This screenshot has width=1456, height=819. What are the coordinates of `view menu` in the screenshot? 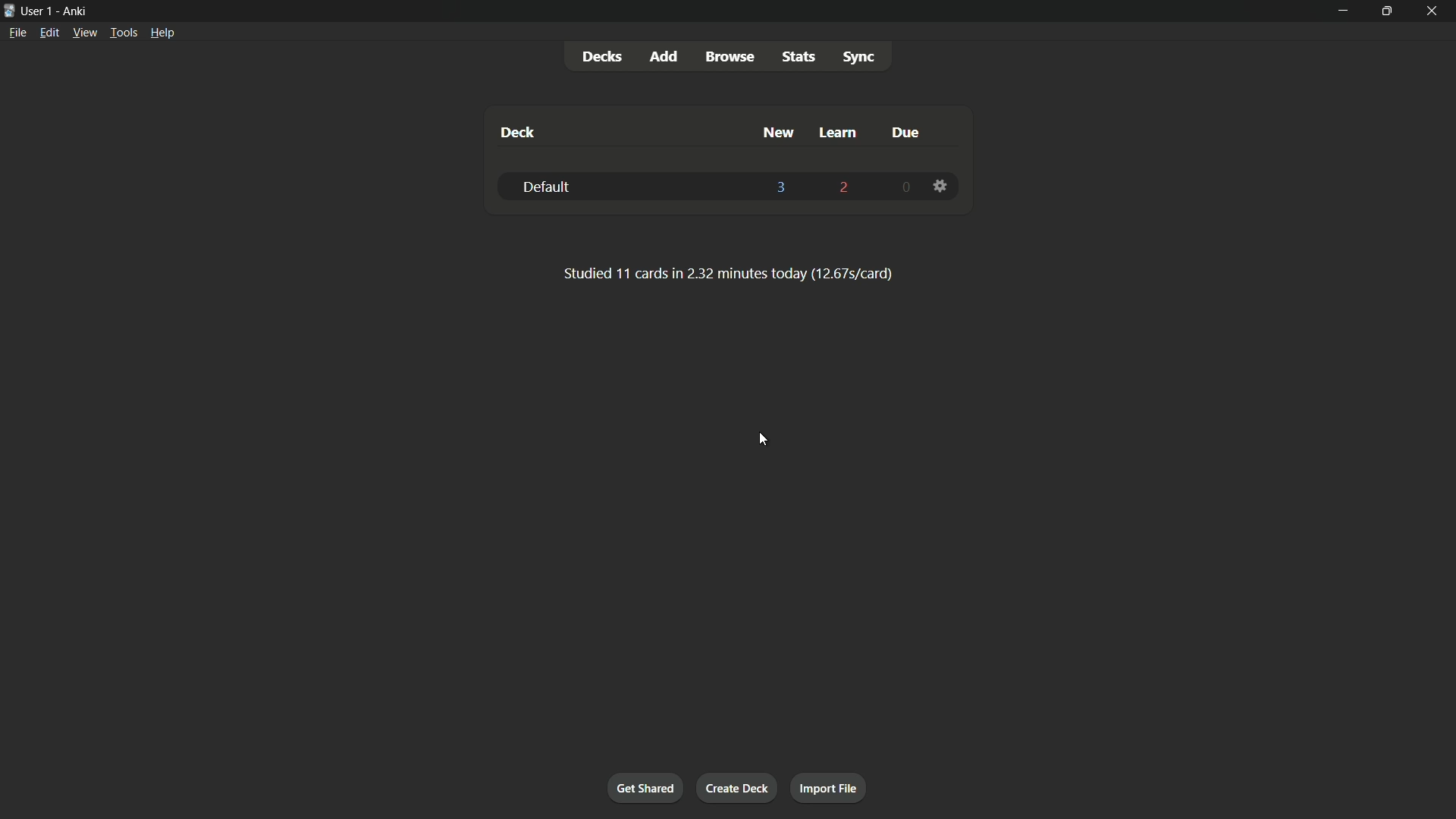 It's located at (85, 33).